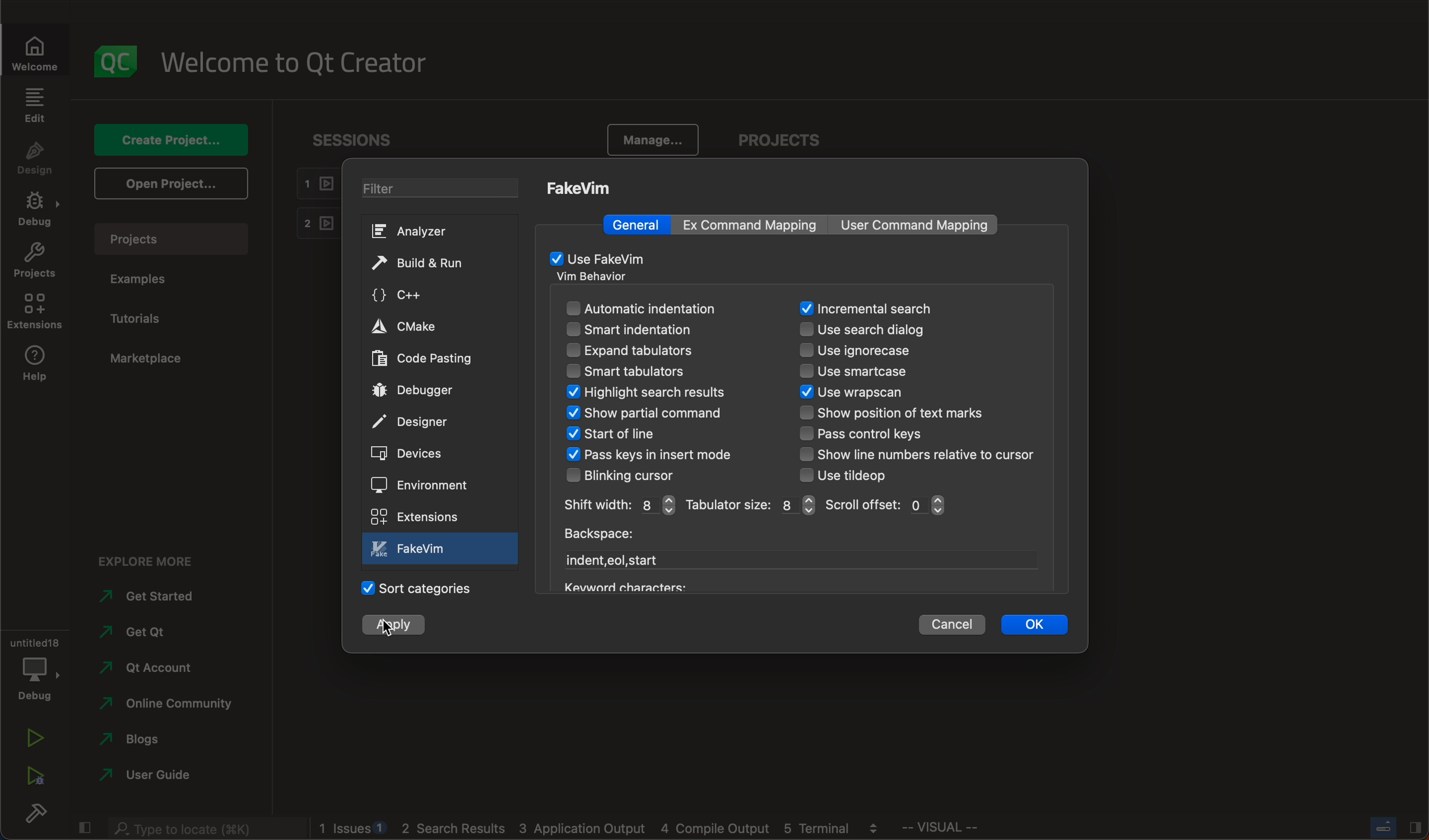  I want to click on search dialog, so click(877, 330).